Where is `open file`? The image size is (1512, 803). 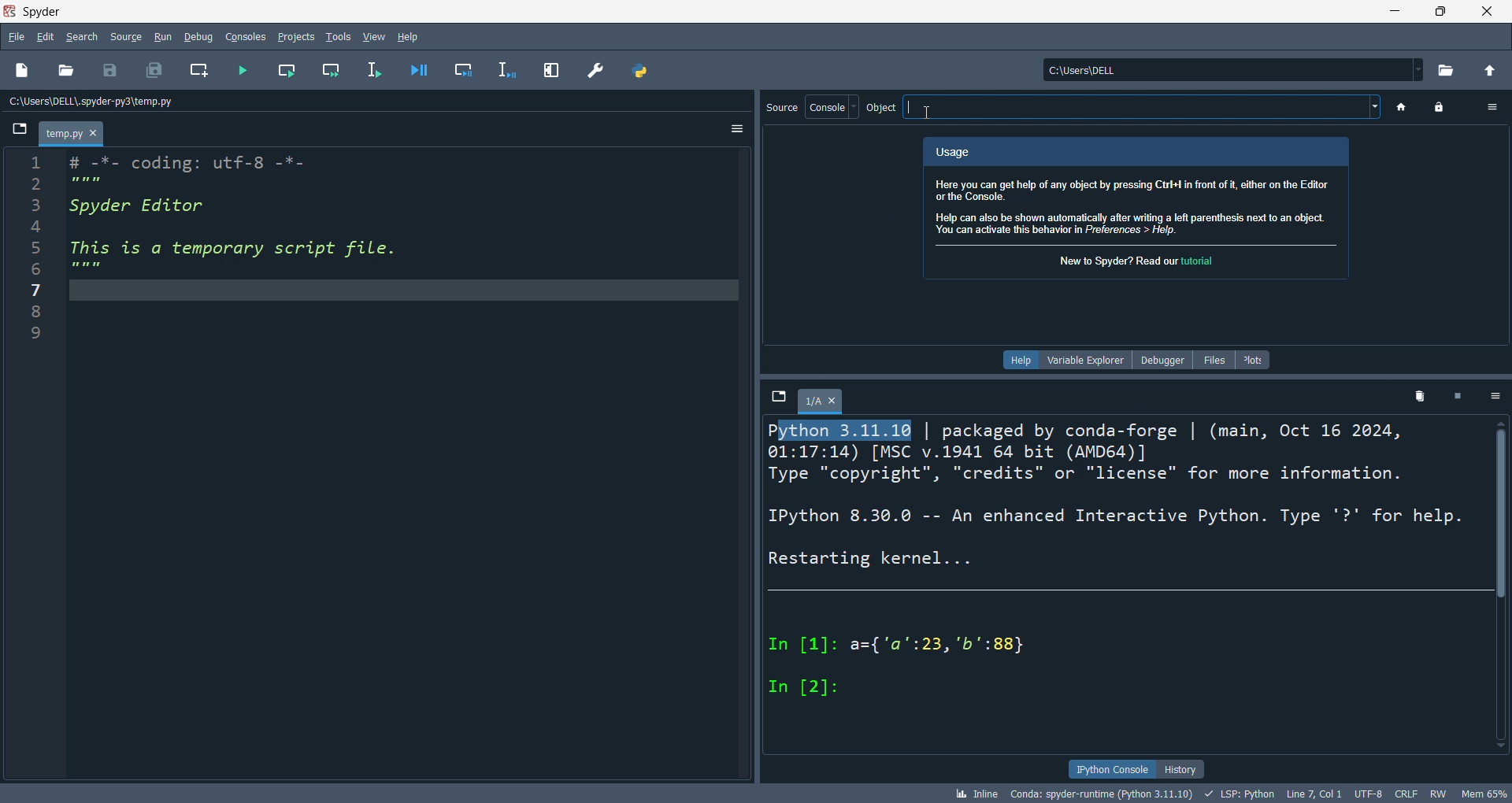 open file is located at coordinates (73, 70).